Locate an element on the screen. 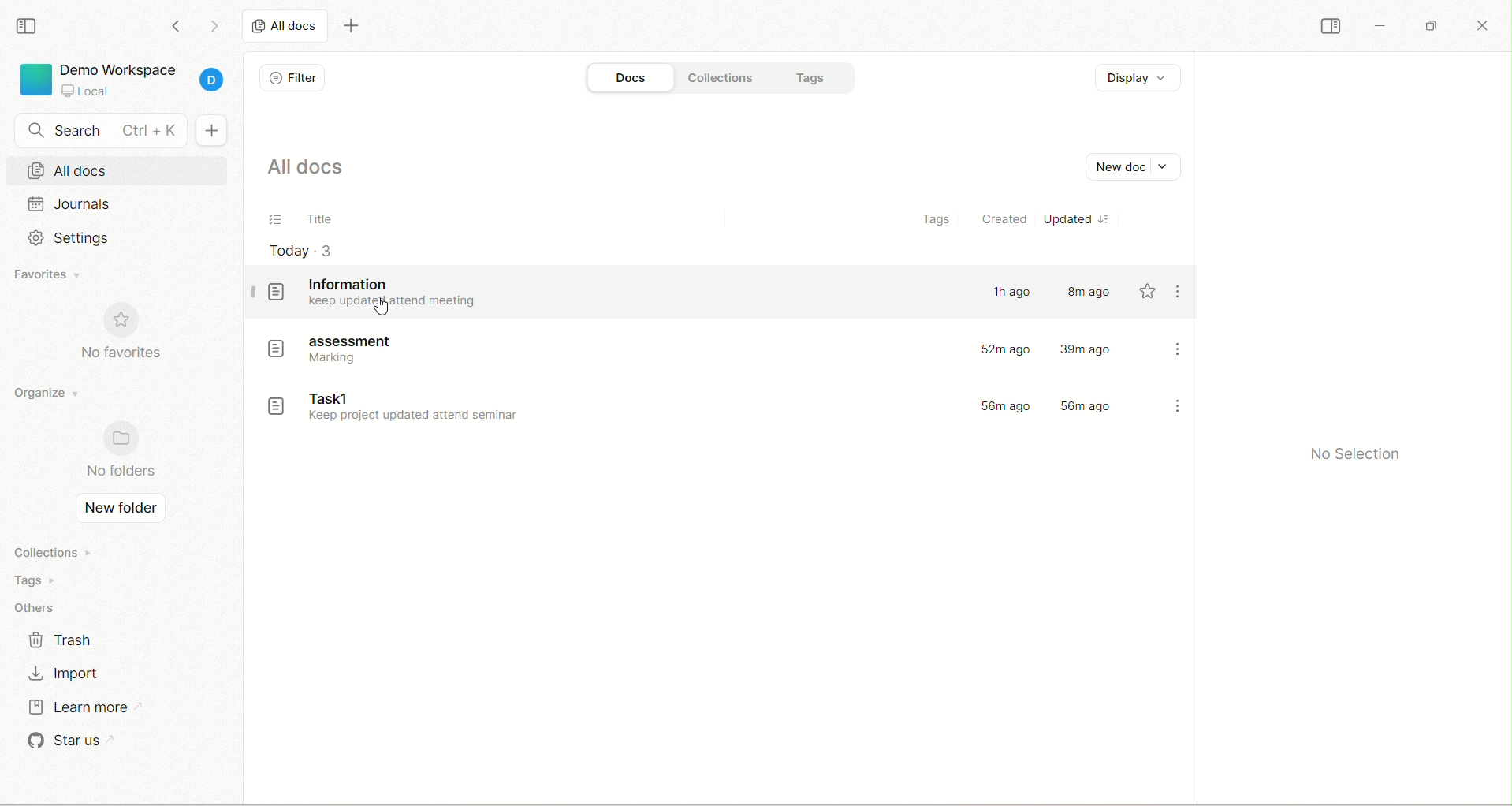 This screenshot has height=806, width=1512. account  is located at coordinates (216, 80).